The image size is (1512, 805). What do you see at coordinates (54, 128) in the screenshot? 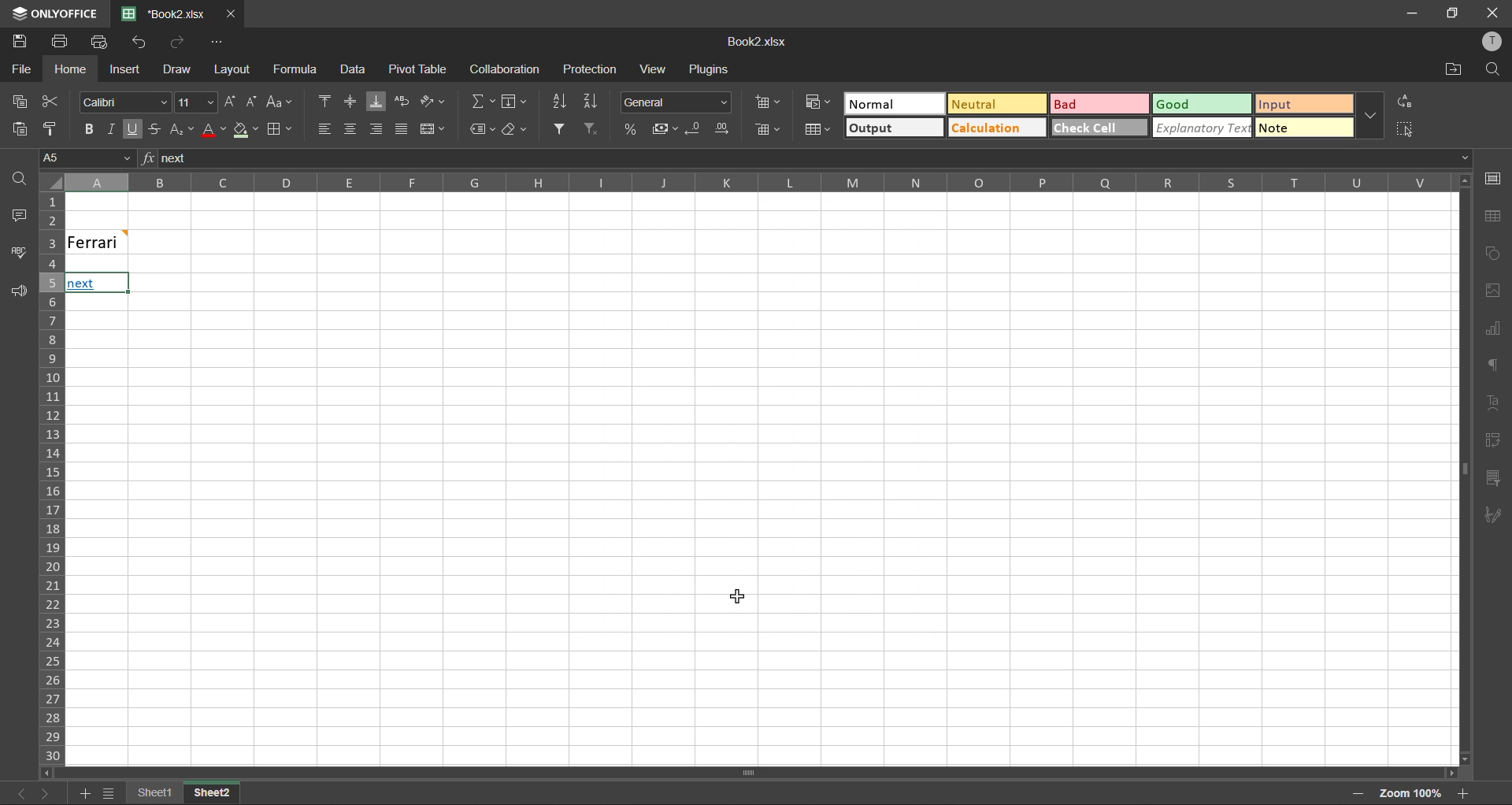
I see `copy style` at bounding box center [54, 128].